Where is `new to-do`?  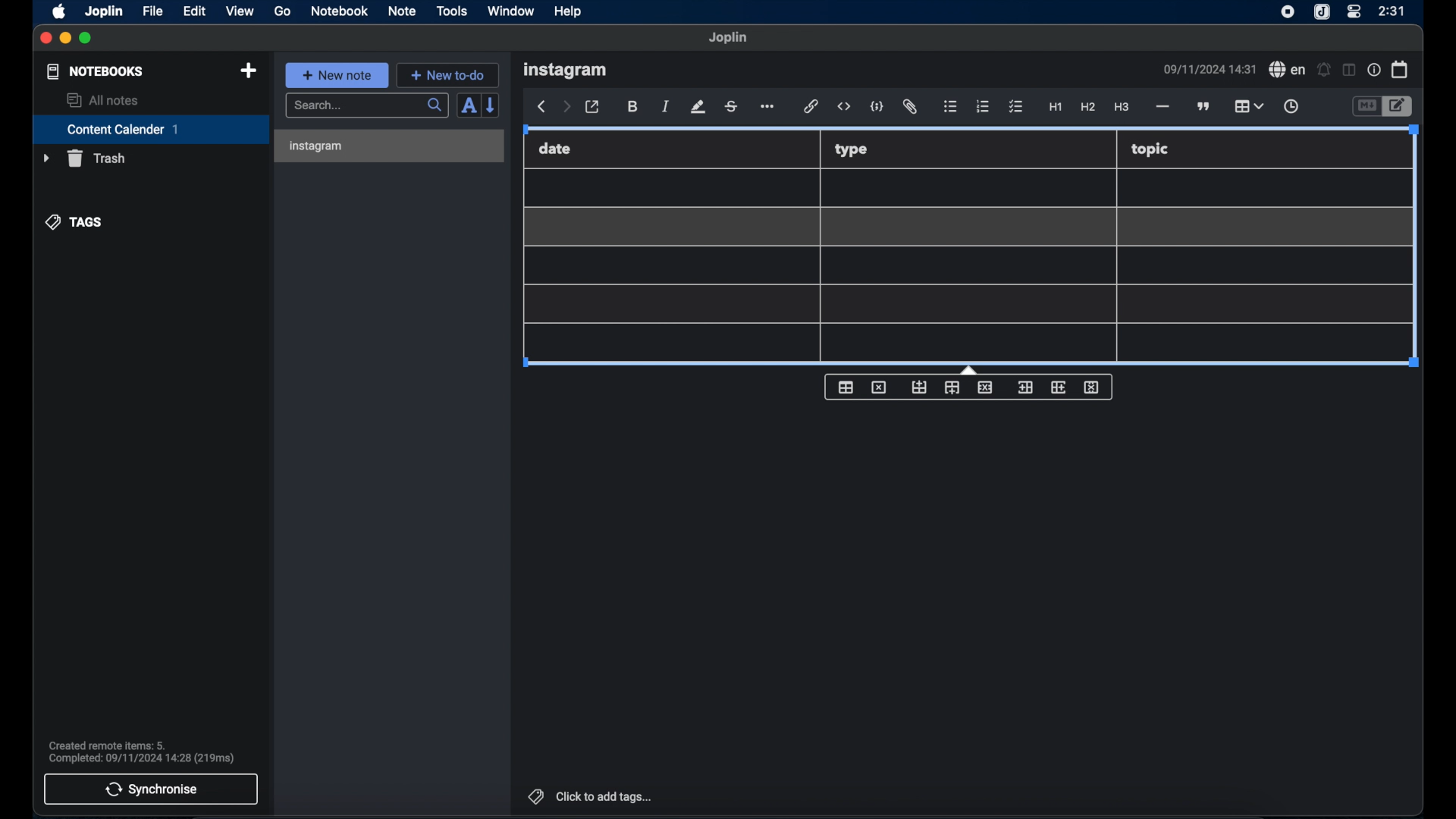
new to-do is located at coordinates (447, 75).